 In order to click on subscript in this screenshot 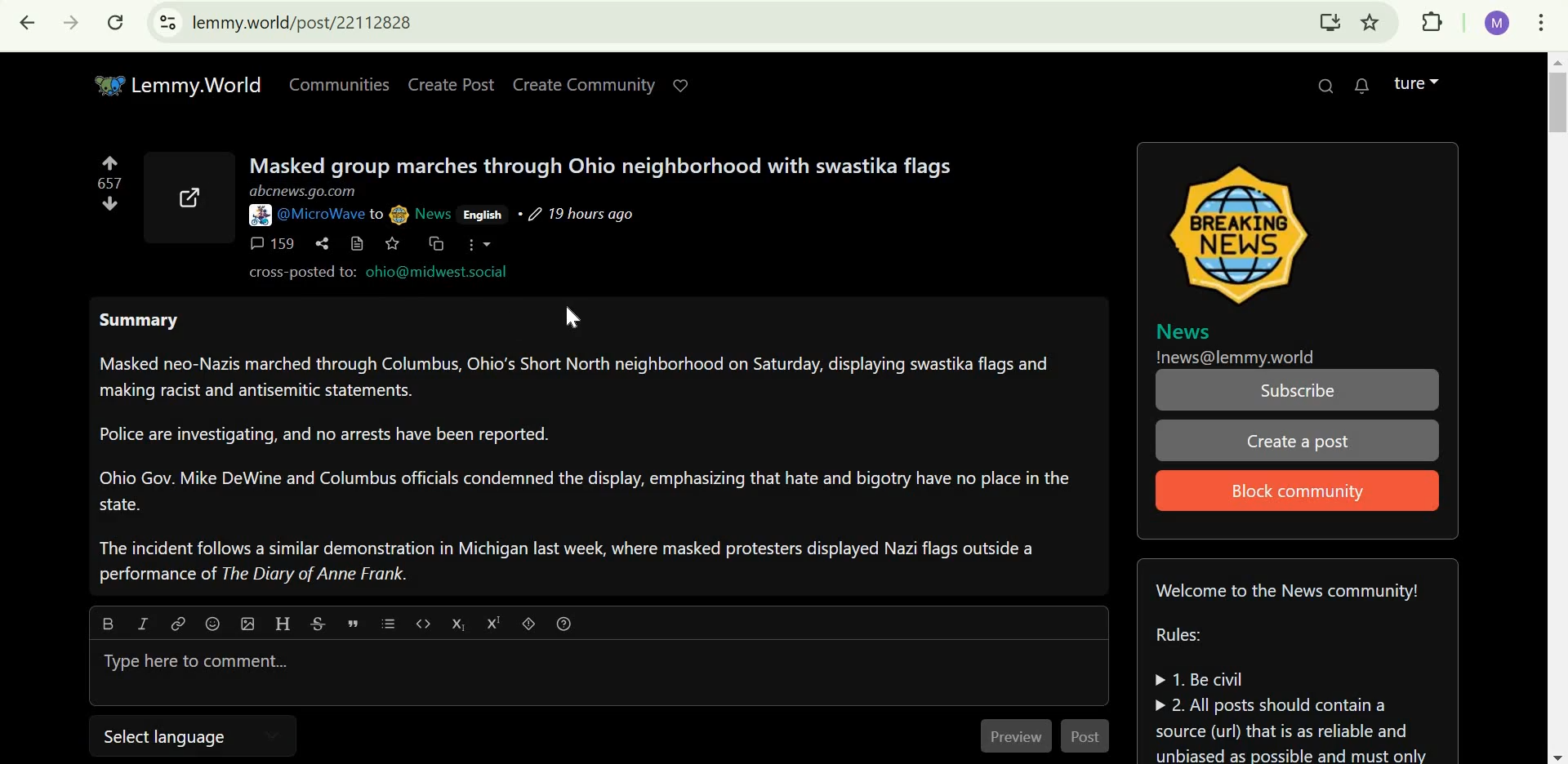, I will do `click(457, 622)`.